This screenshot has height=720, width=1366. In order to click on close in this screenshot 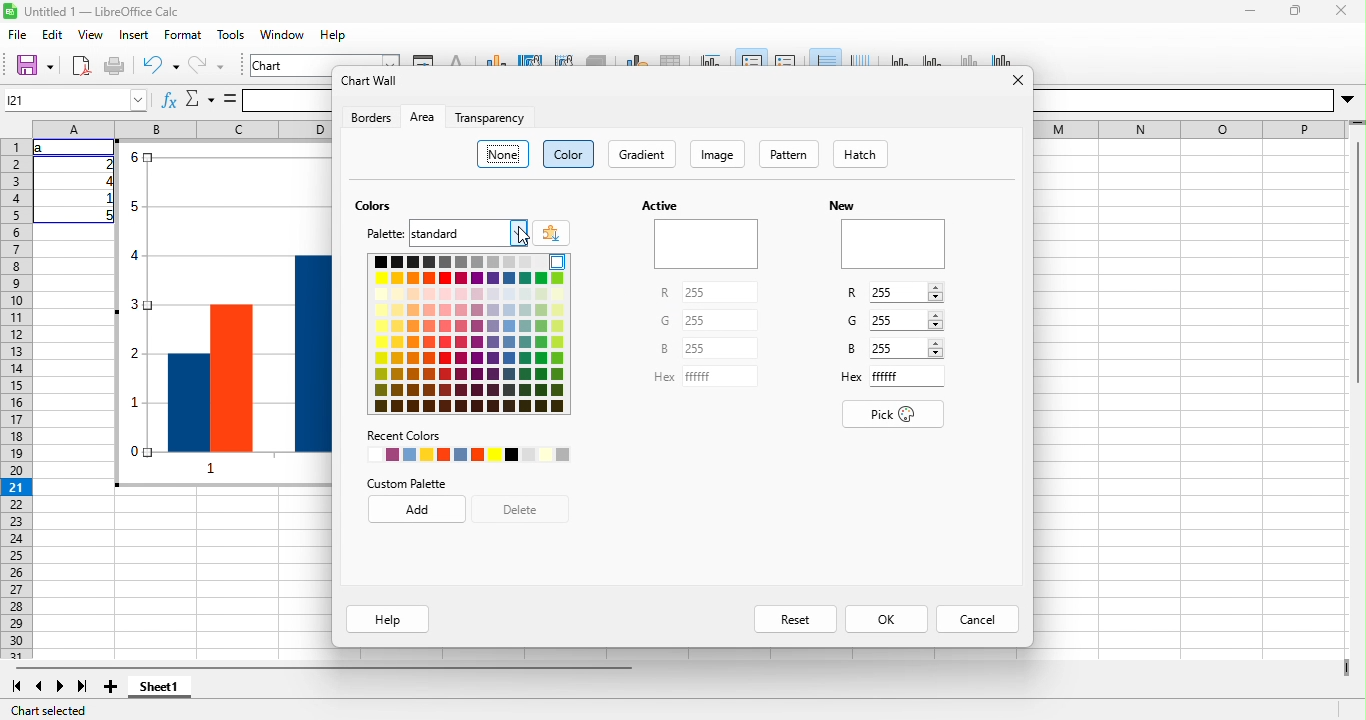, I will do `click(1341, 11)`.